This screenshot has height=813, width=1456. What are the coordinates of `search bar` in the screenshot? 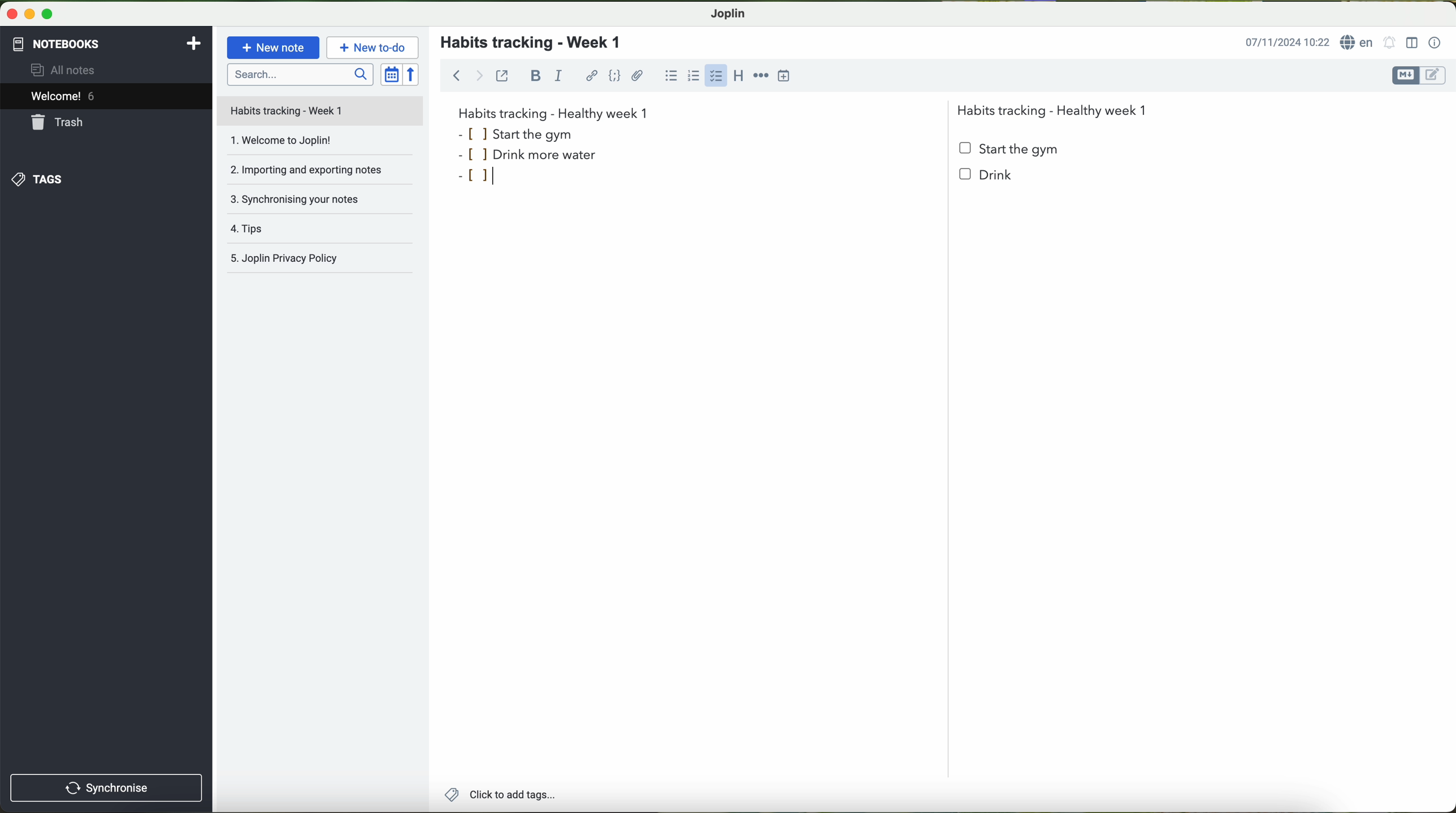 It's located at (299, 74).